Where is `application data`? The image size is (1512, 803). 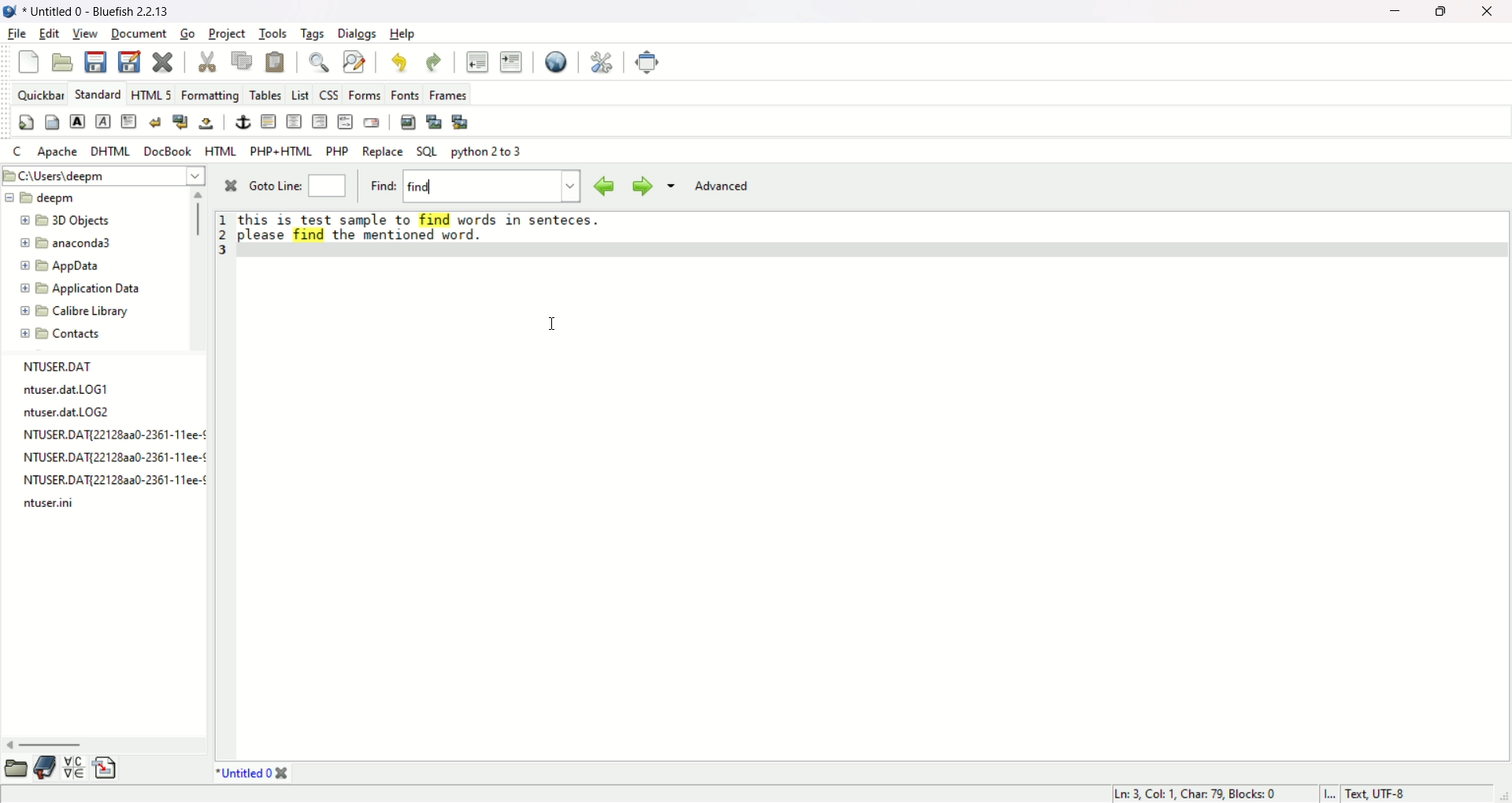 application data is located at coordinates (79, 289).